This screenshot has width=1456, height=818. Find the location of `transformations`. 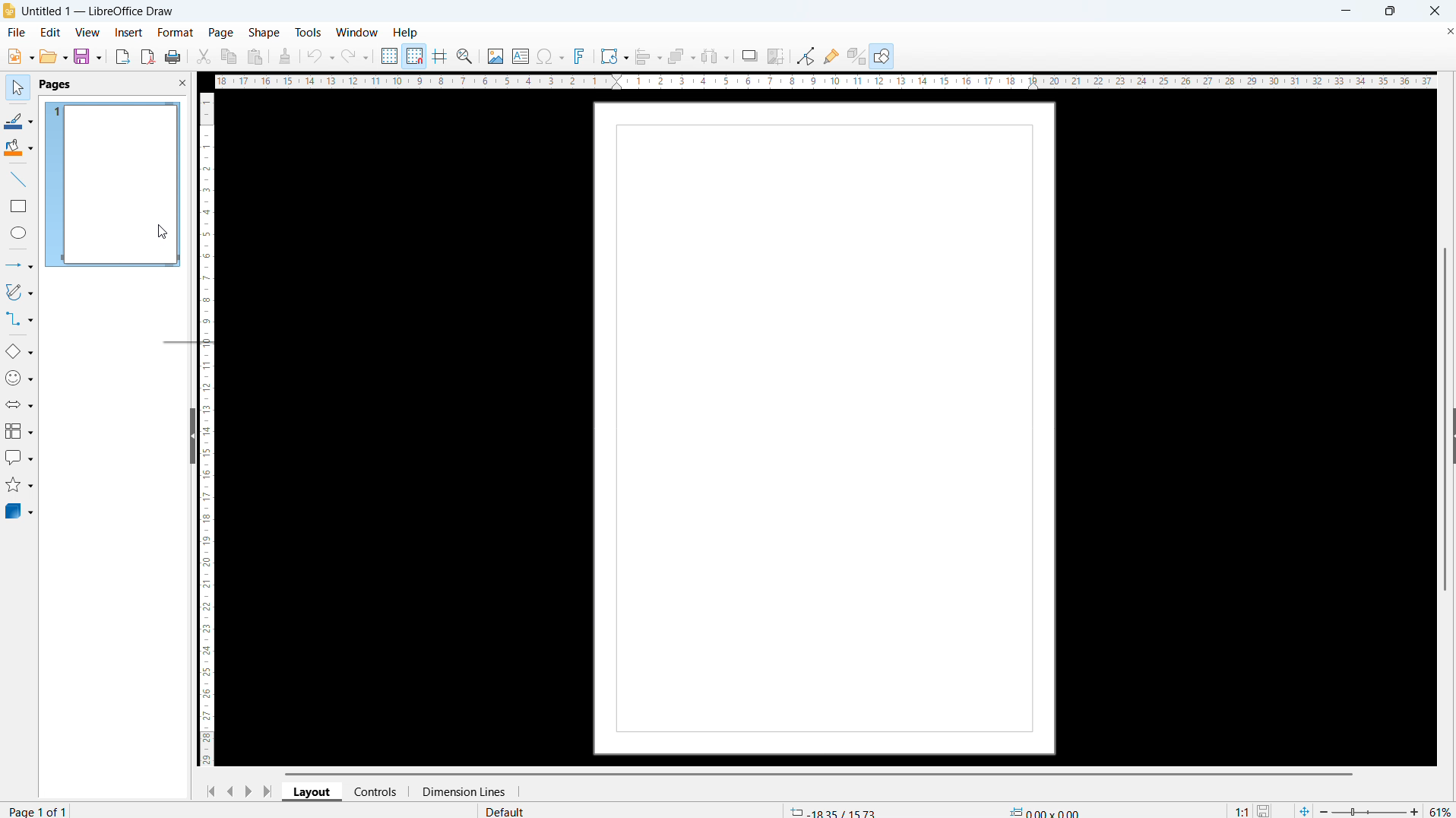

transformations is located at coordinates (614, 55).